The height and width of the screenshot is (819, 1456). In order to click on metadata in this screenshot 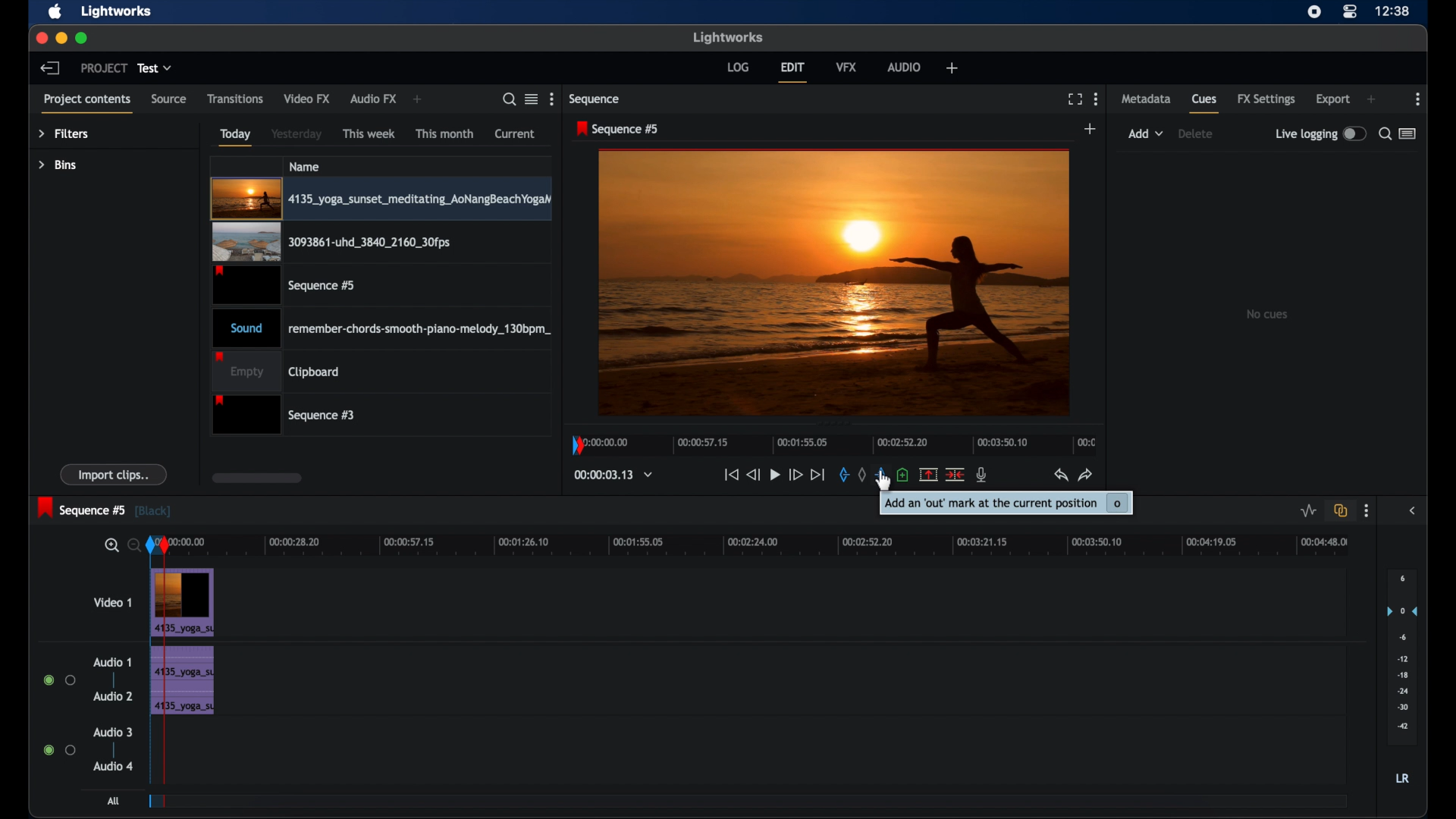, I will do `click(1147, 99)`.